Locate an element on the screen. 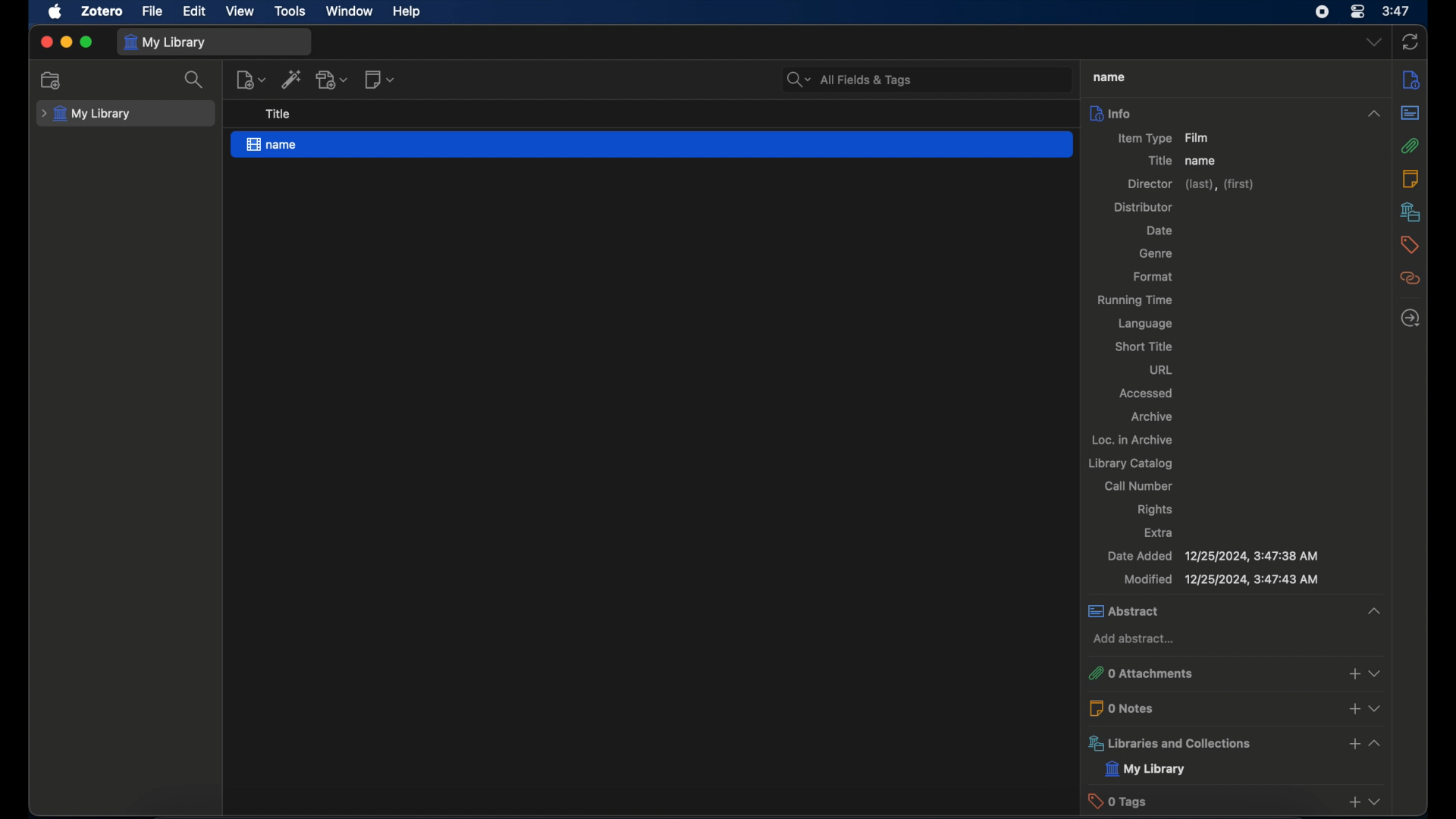 Image resolution: width=1456 pixels, height=819 pixels. file is located at coordinates (152, 11).